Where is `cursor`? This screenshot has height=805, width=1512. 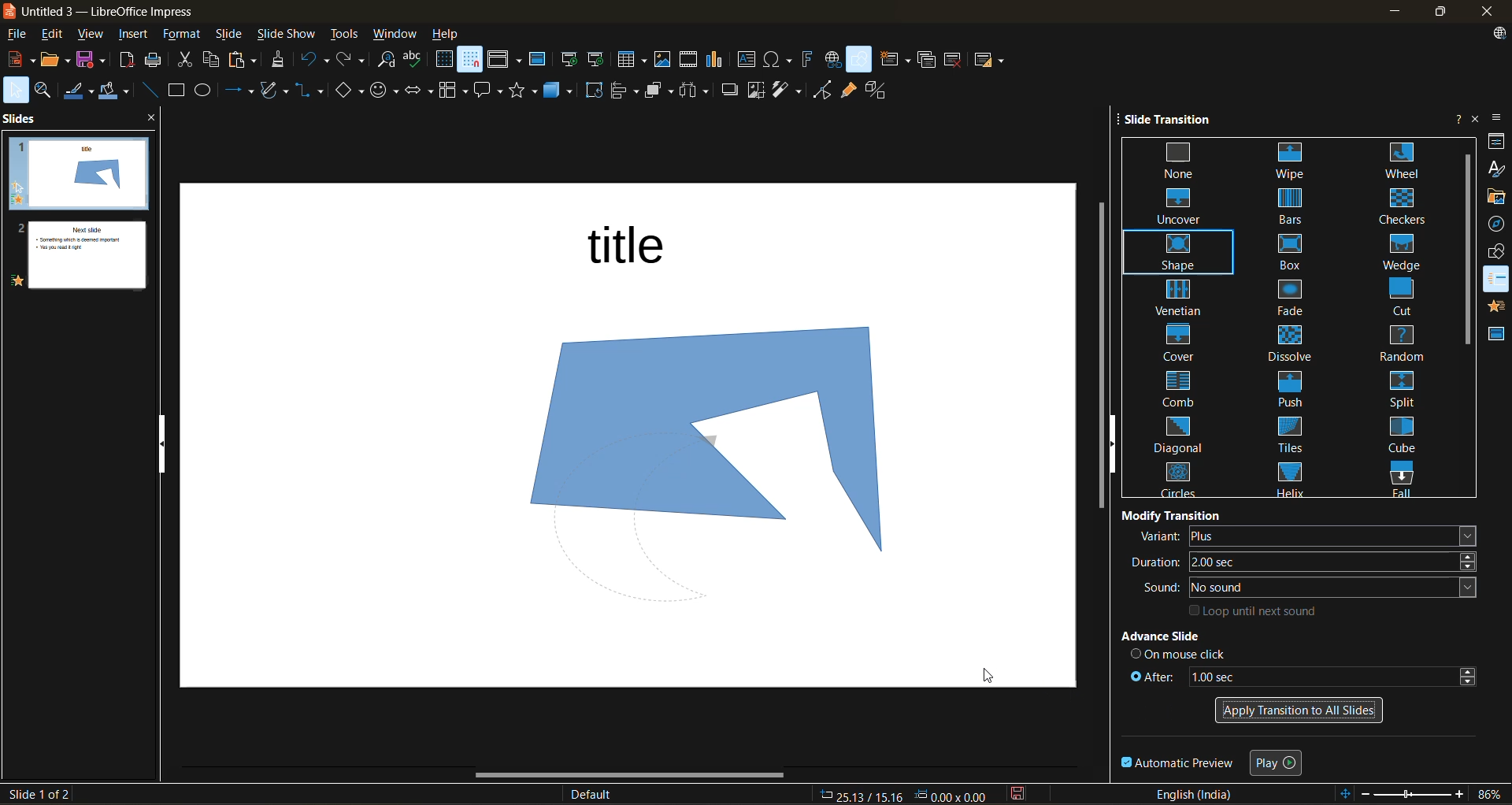 cursor is located at coordinates (990, 676).